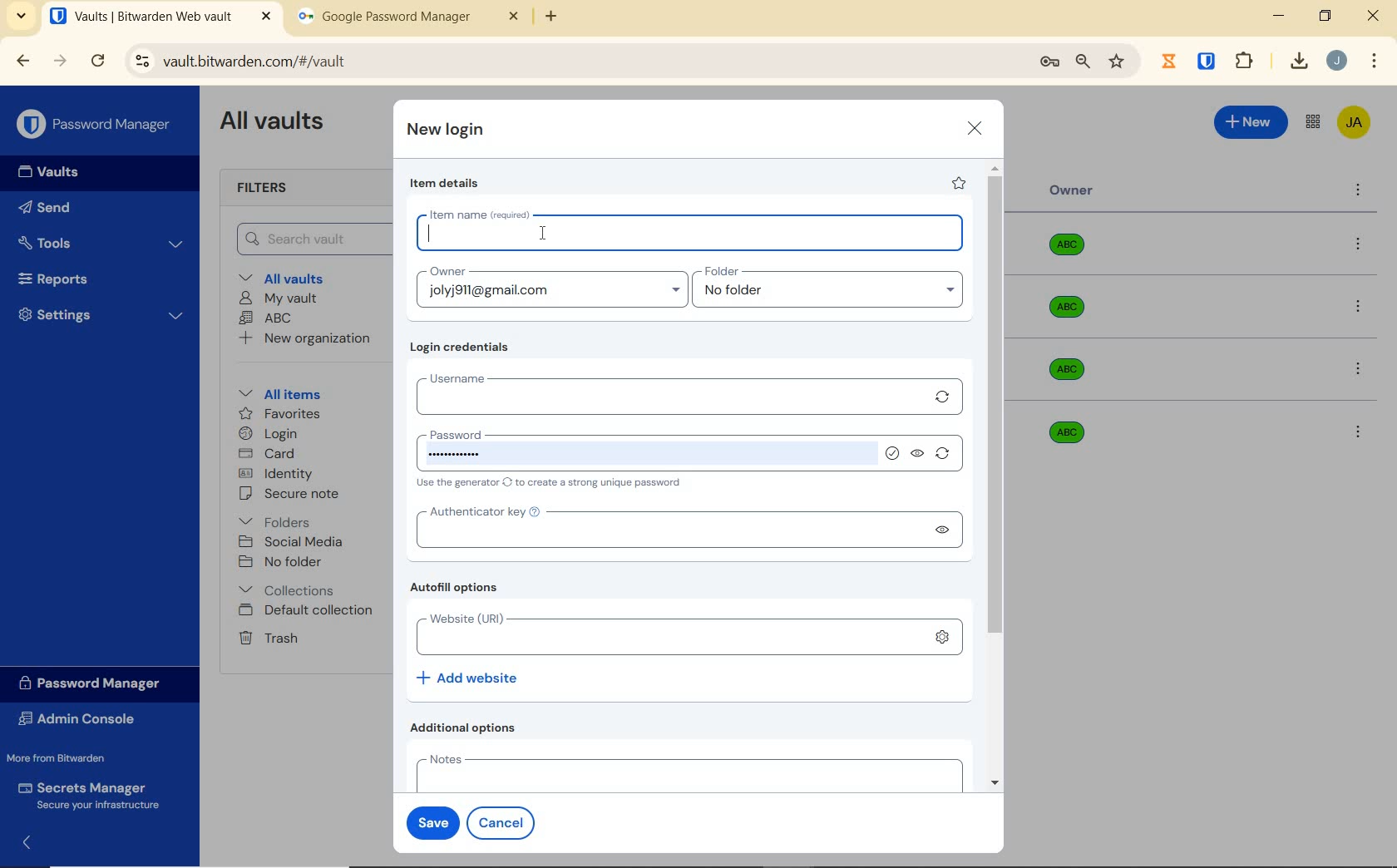  I want to click on address bar, so click(573, 62).